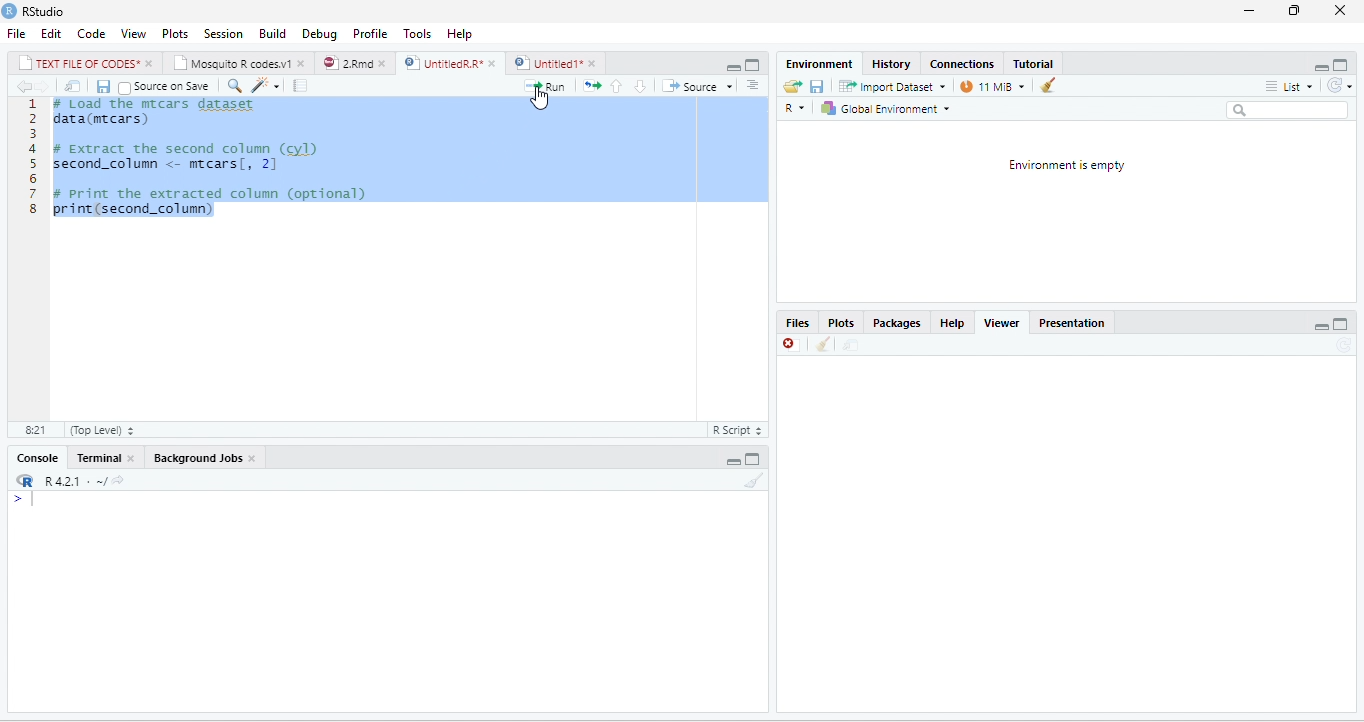  I want to click on Profile, so click(371, 32).